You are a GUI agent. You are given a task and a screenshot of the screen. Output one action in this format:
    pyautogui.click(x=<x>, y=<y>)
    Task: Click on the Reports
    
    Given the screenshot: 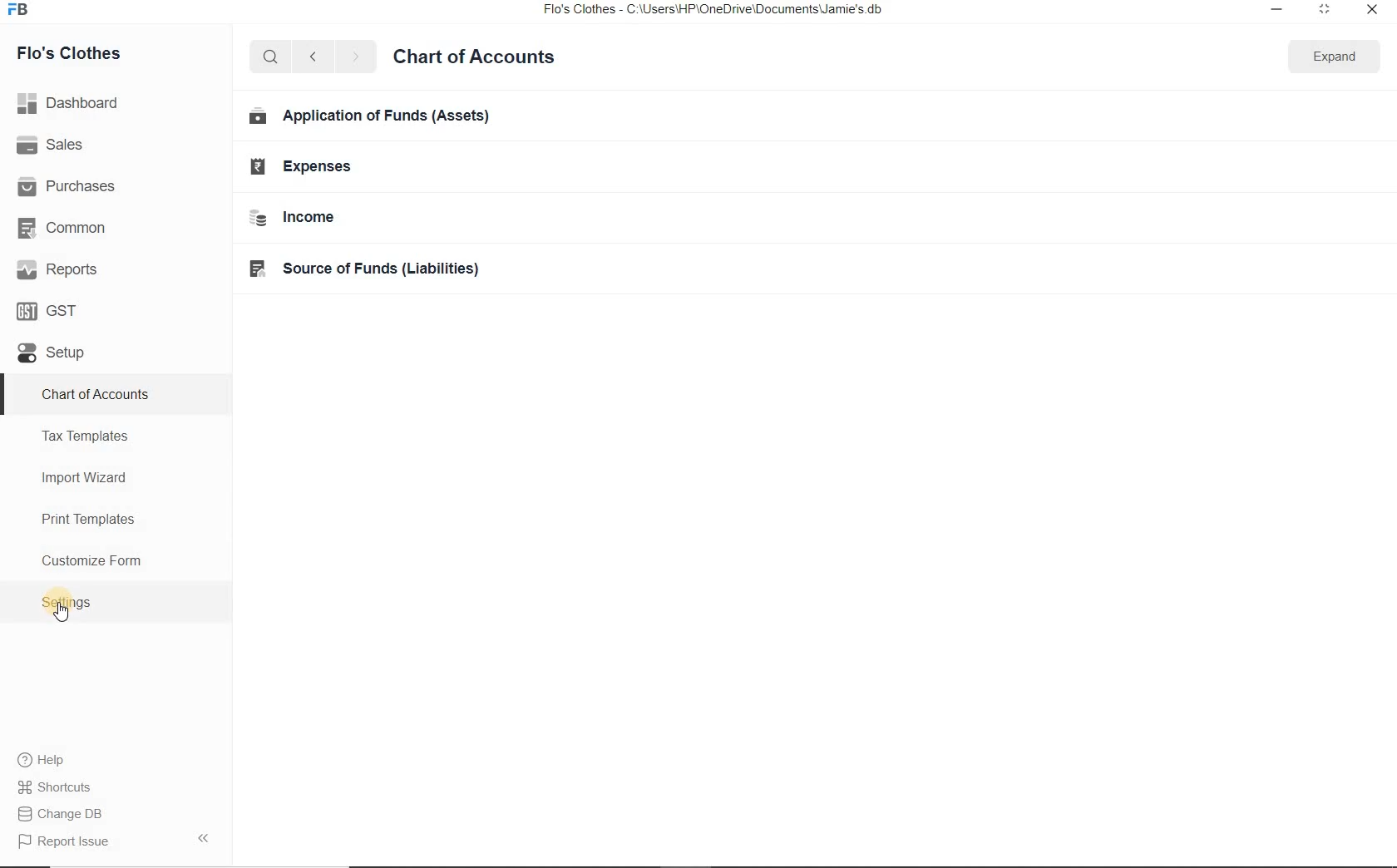 What is the action you would take?
    pyautogui.click(x=62, y=269)
    